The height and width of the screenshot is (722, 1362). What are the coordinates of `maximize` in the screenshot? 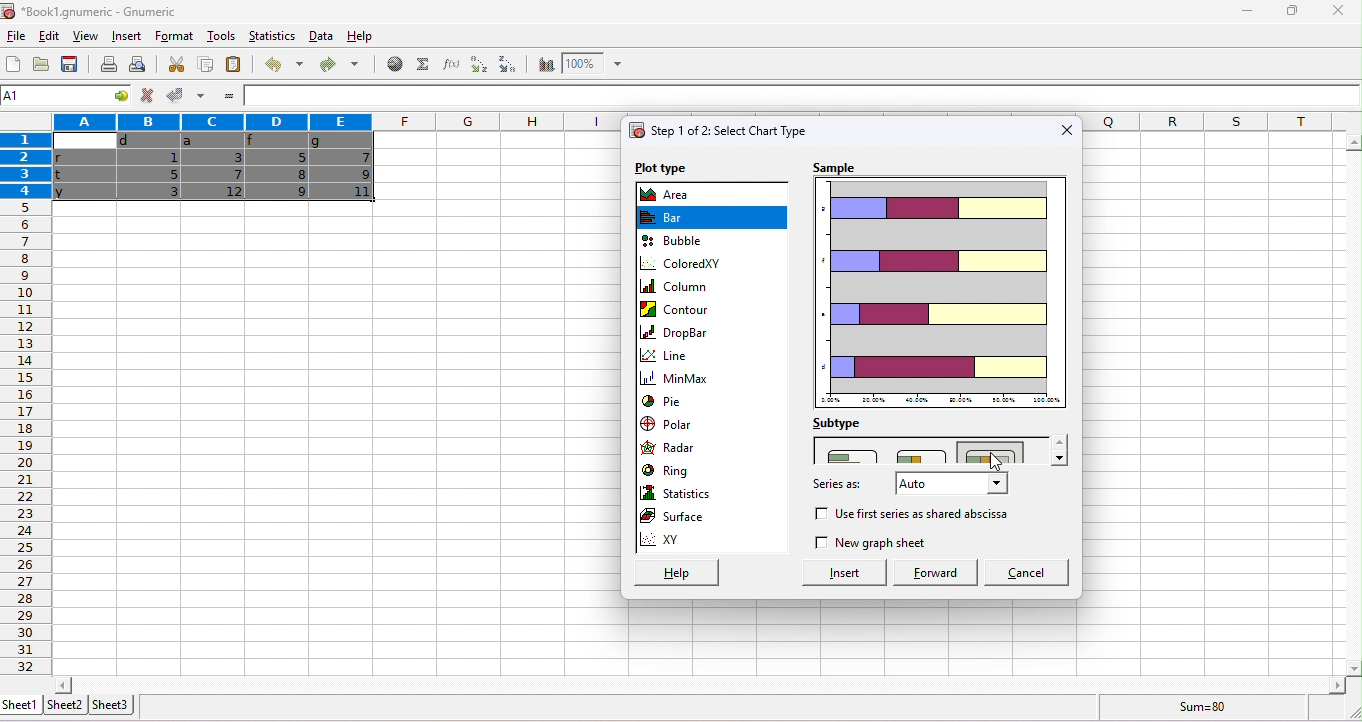 It's located at (1293, 13).